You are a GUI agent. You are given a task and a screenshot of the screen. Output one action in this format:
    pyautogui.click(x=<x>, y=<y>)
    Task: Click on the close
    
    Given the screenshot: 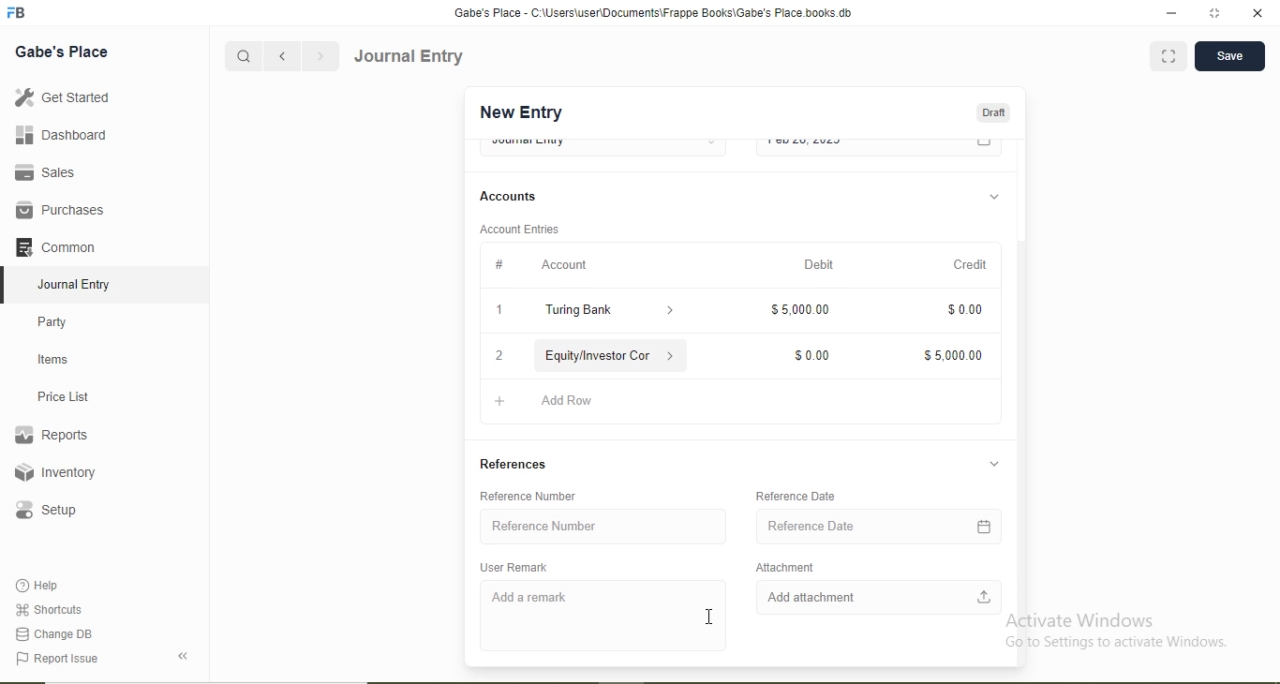 What is the action you would take?
    pyautogui.click(x=1259, y=13)
    